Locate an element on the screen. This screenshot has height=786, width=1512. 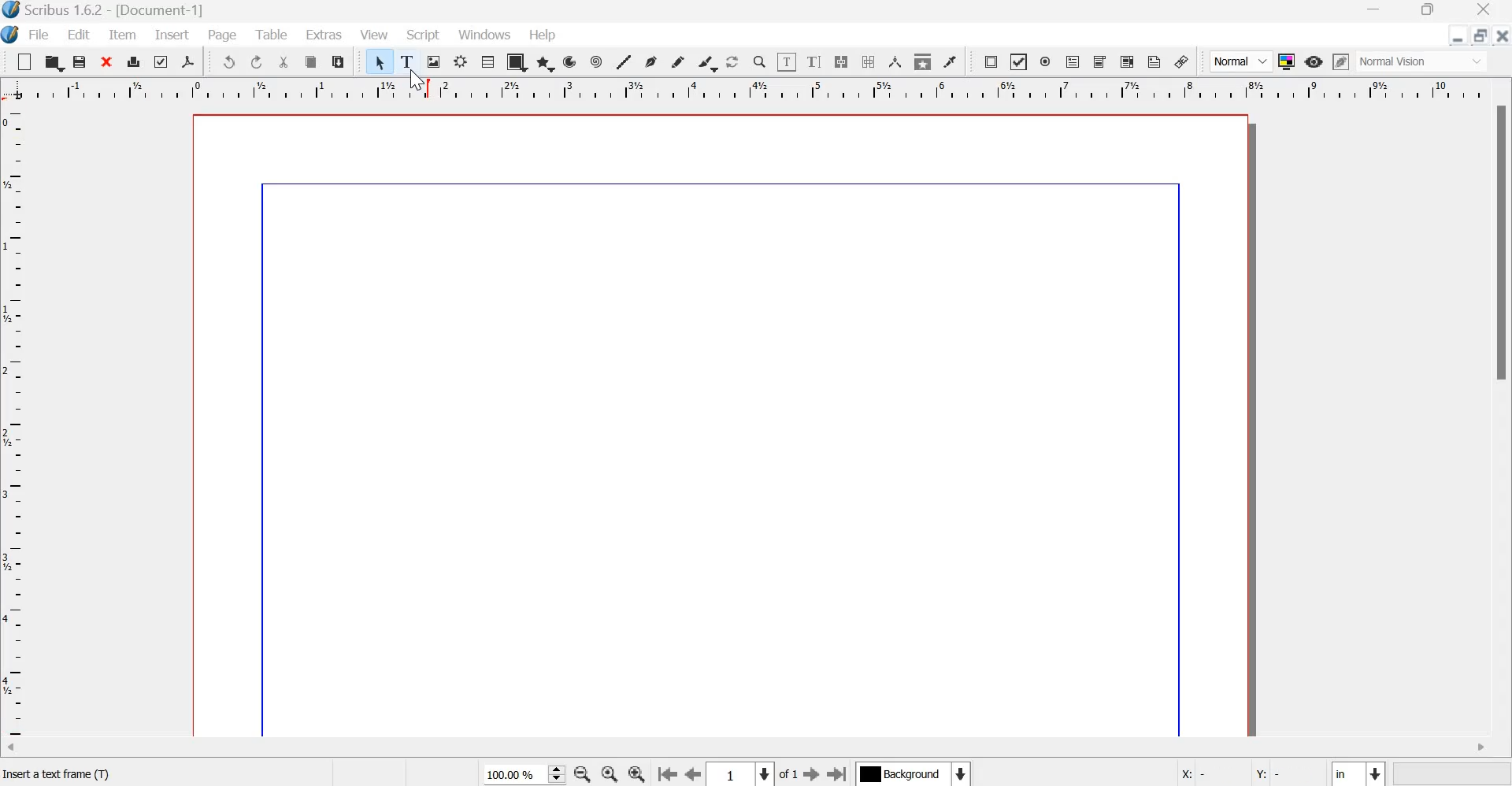
close is located at coordinates (1501, 35).